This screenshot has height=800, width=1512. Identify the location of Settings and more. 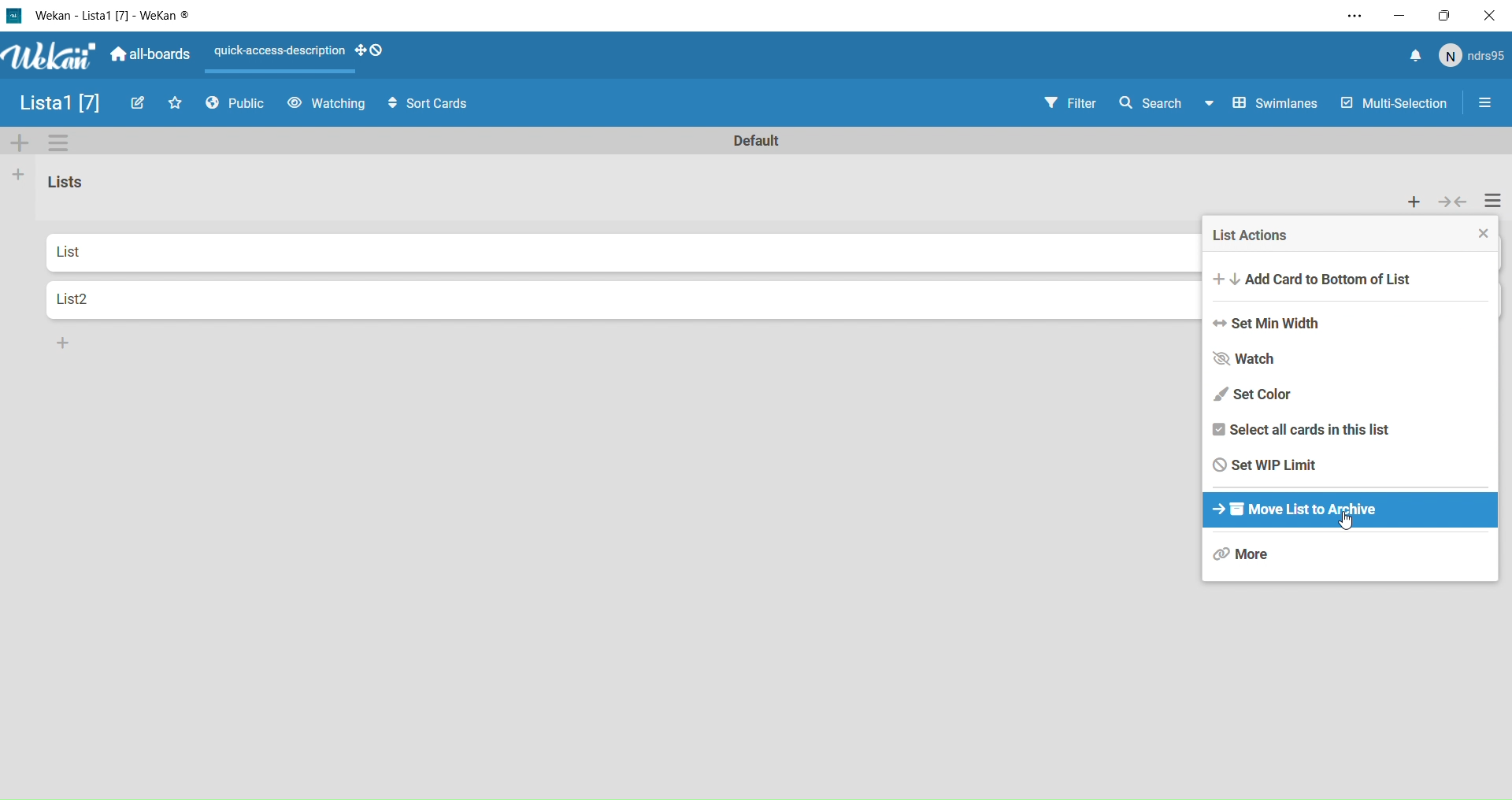
(1343, 17).